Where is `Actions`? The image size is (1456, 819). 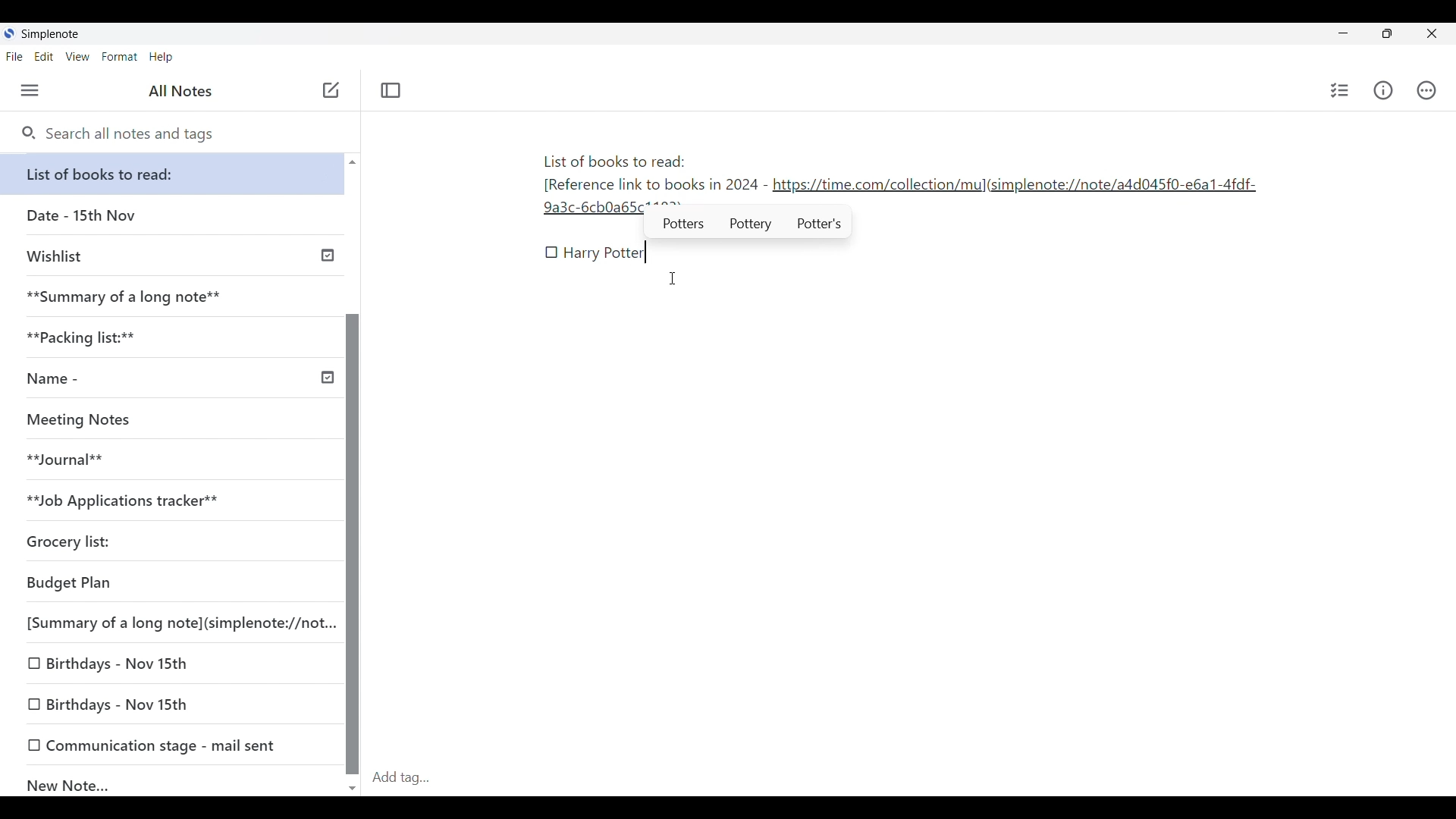
Actions is located at coordinates (1426, 90).